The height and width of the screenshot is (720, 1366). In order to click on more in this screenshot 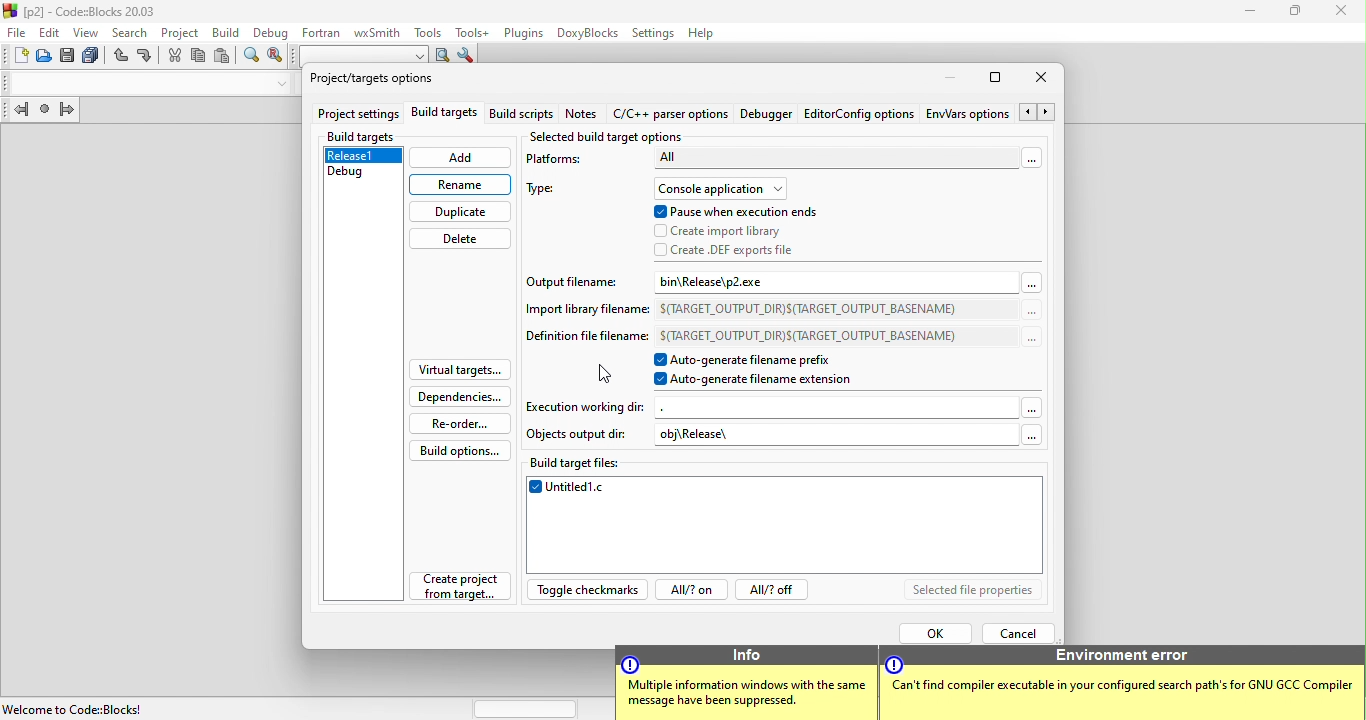, I will do `click(1035, 160)`.